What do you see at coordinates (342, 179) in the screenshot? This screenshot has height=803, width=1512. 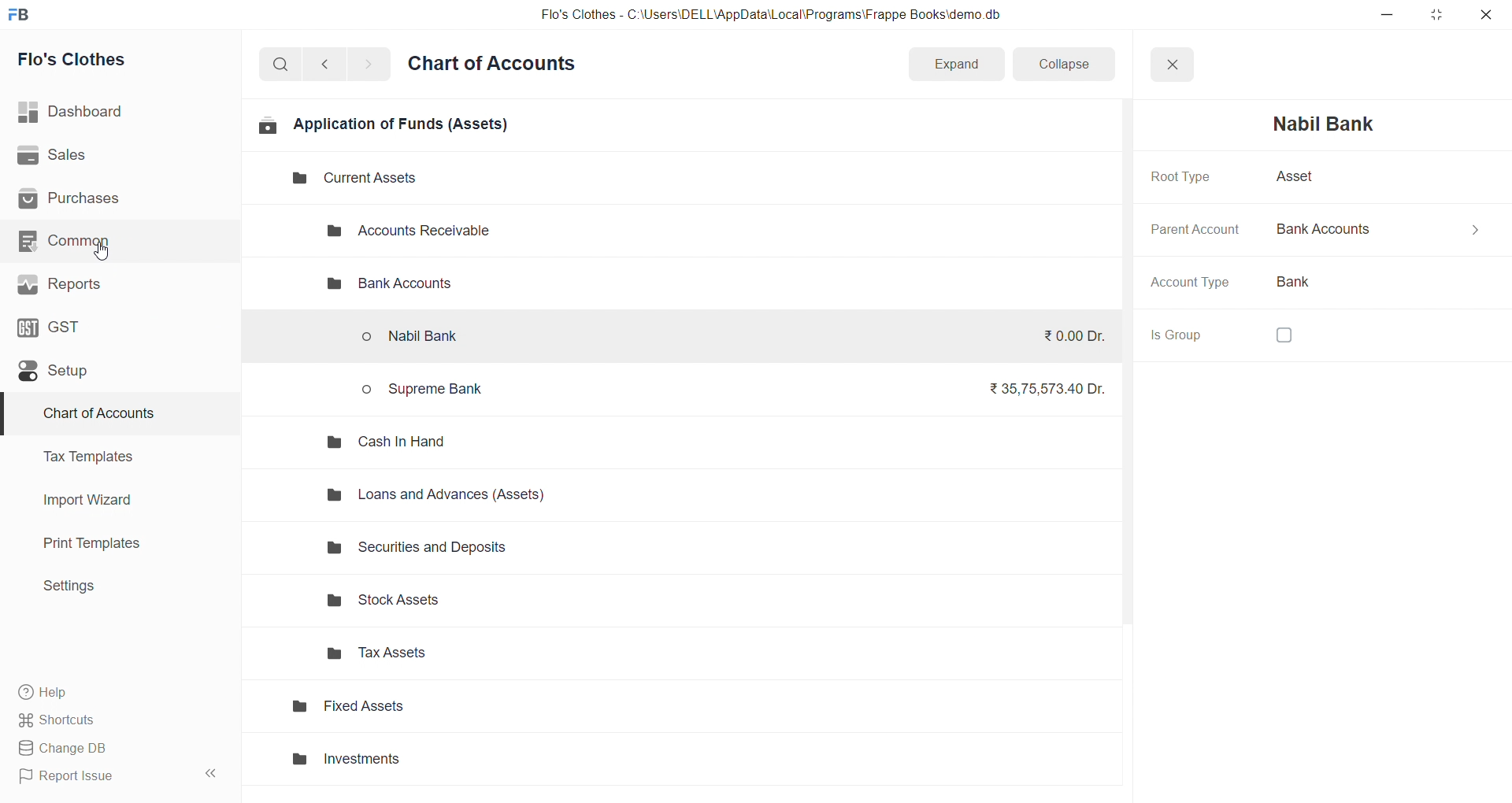 I see `Current Assets` at bounding box center [342, 179].